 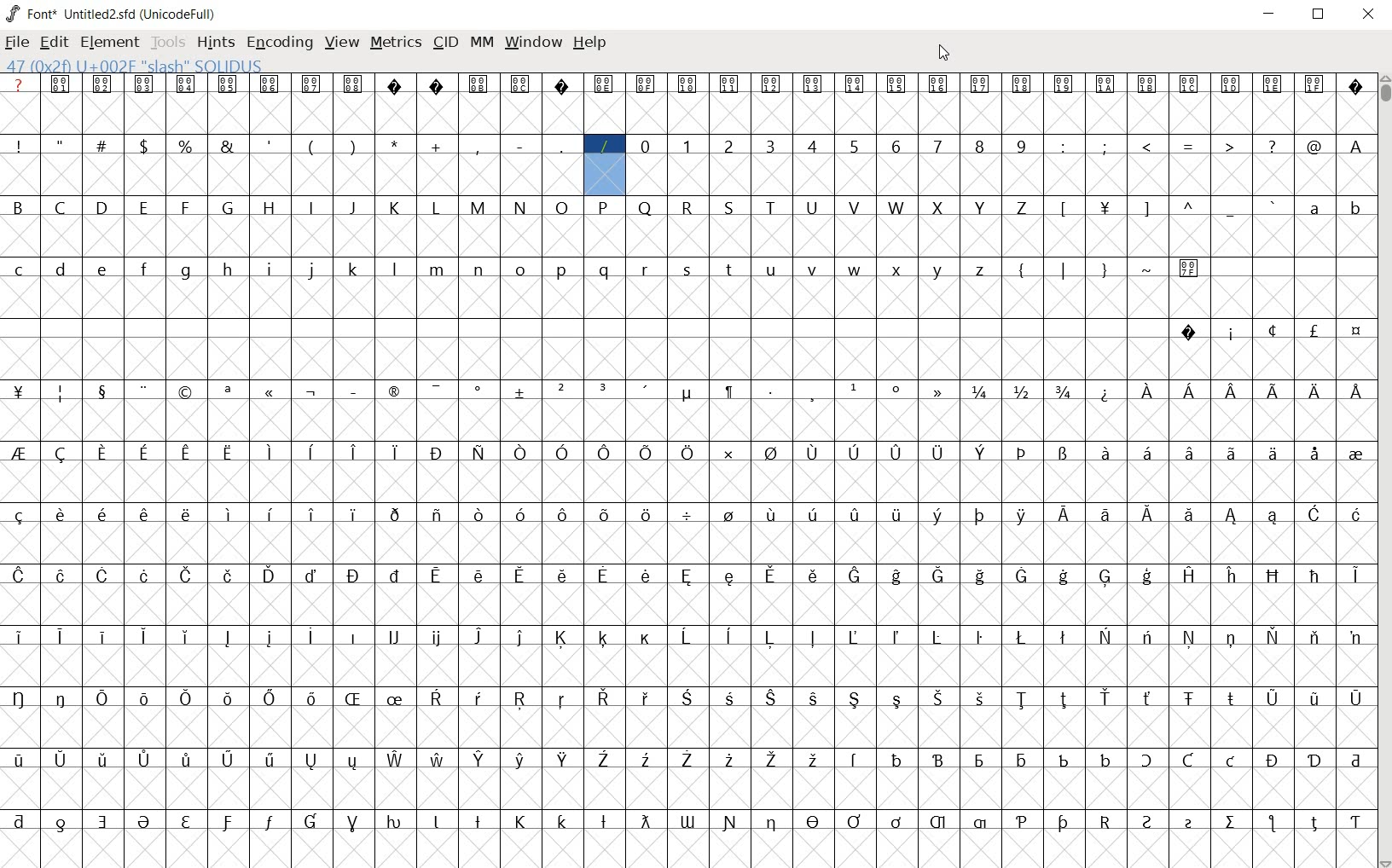 What do you see at coordinates (1148, 515) in the screenshot?
I see `glyph` at bounding box center [1148, 515].